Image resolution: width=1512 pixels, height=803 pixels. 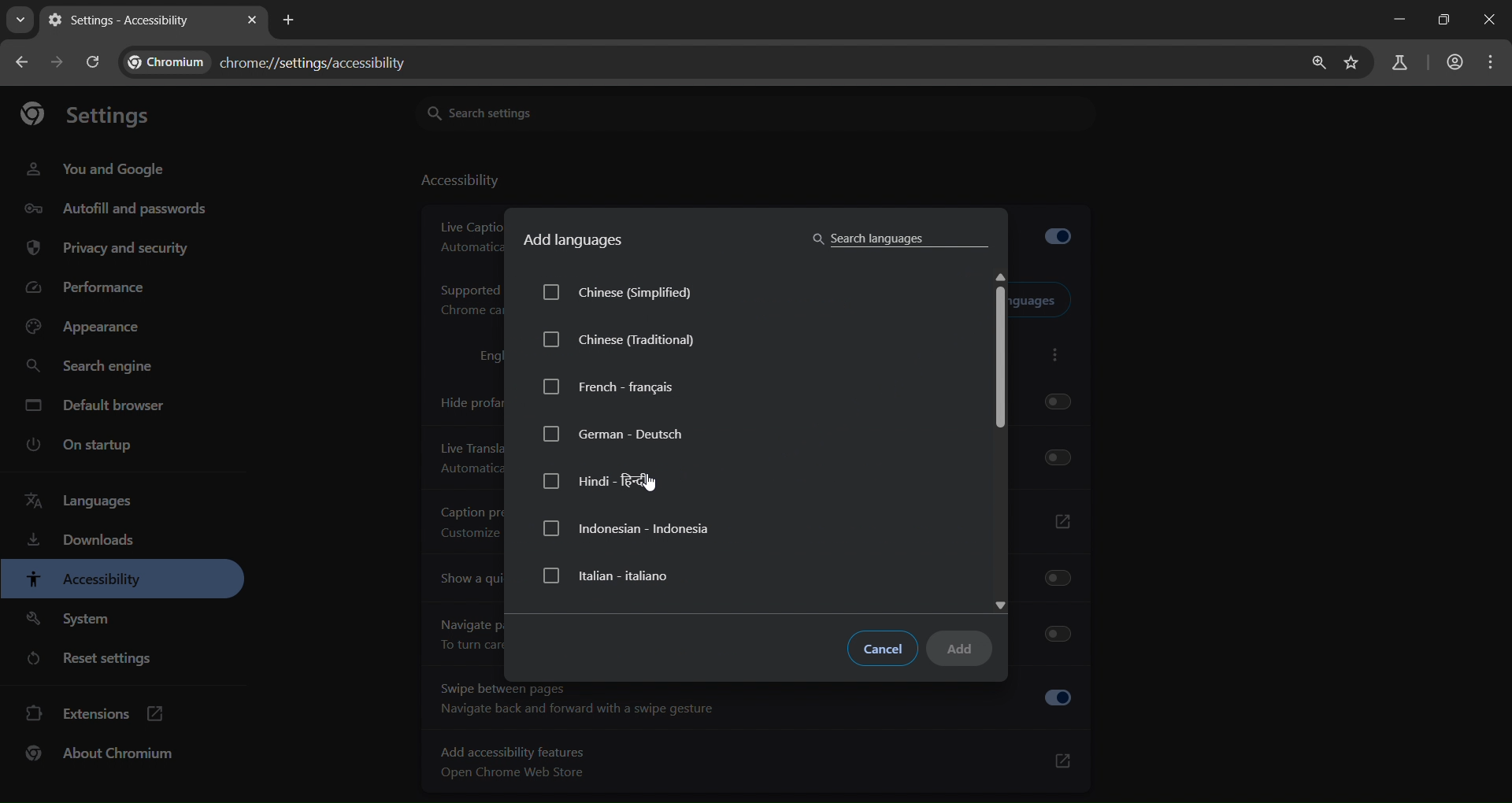 I want to click on search tabs, so click(x=21, y=18).